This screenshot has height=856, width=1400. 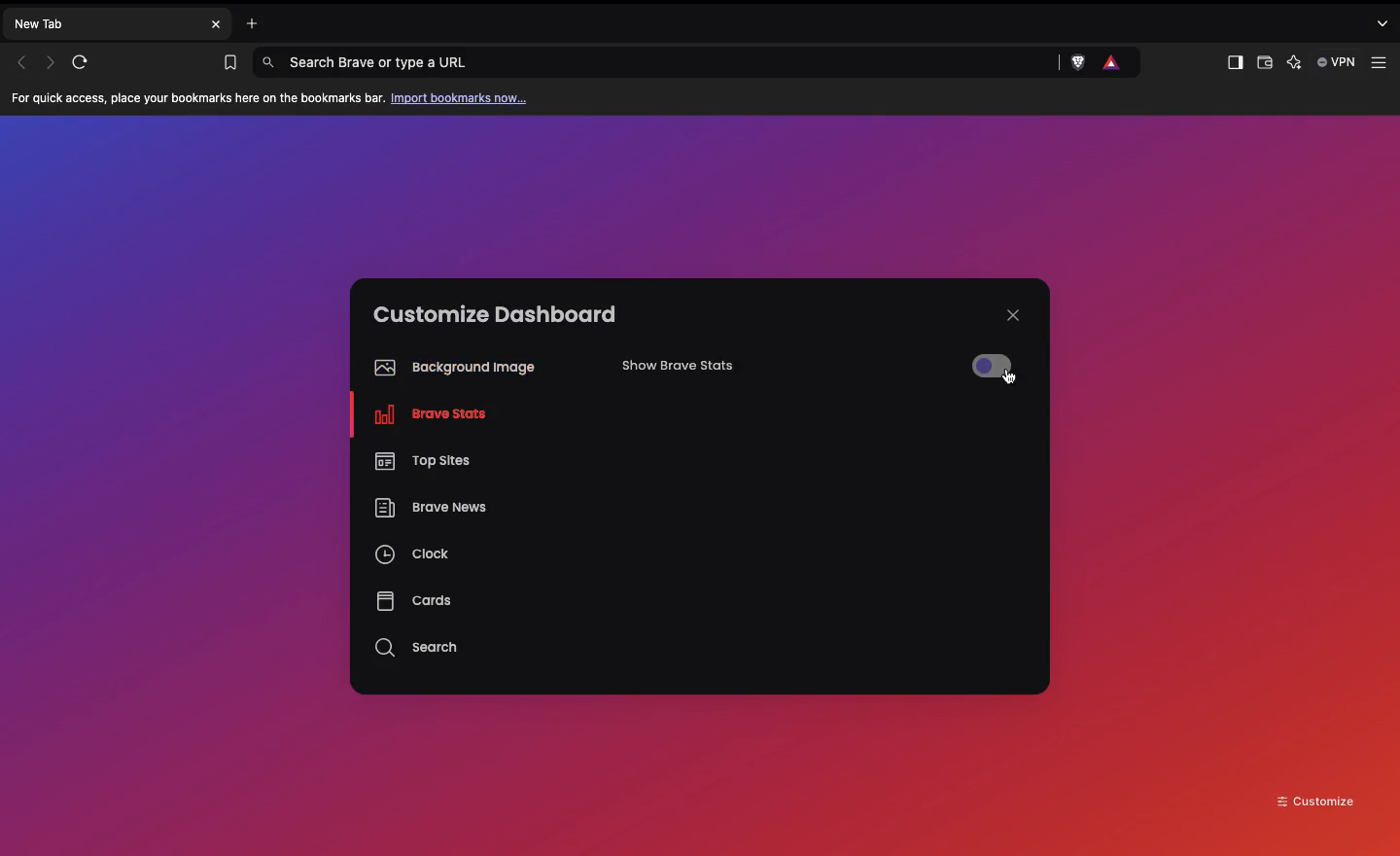 What do you see at coordinates (994, 366) in the screenshot?
I see `Off` at bounding box center [994, 366].